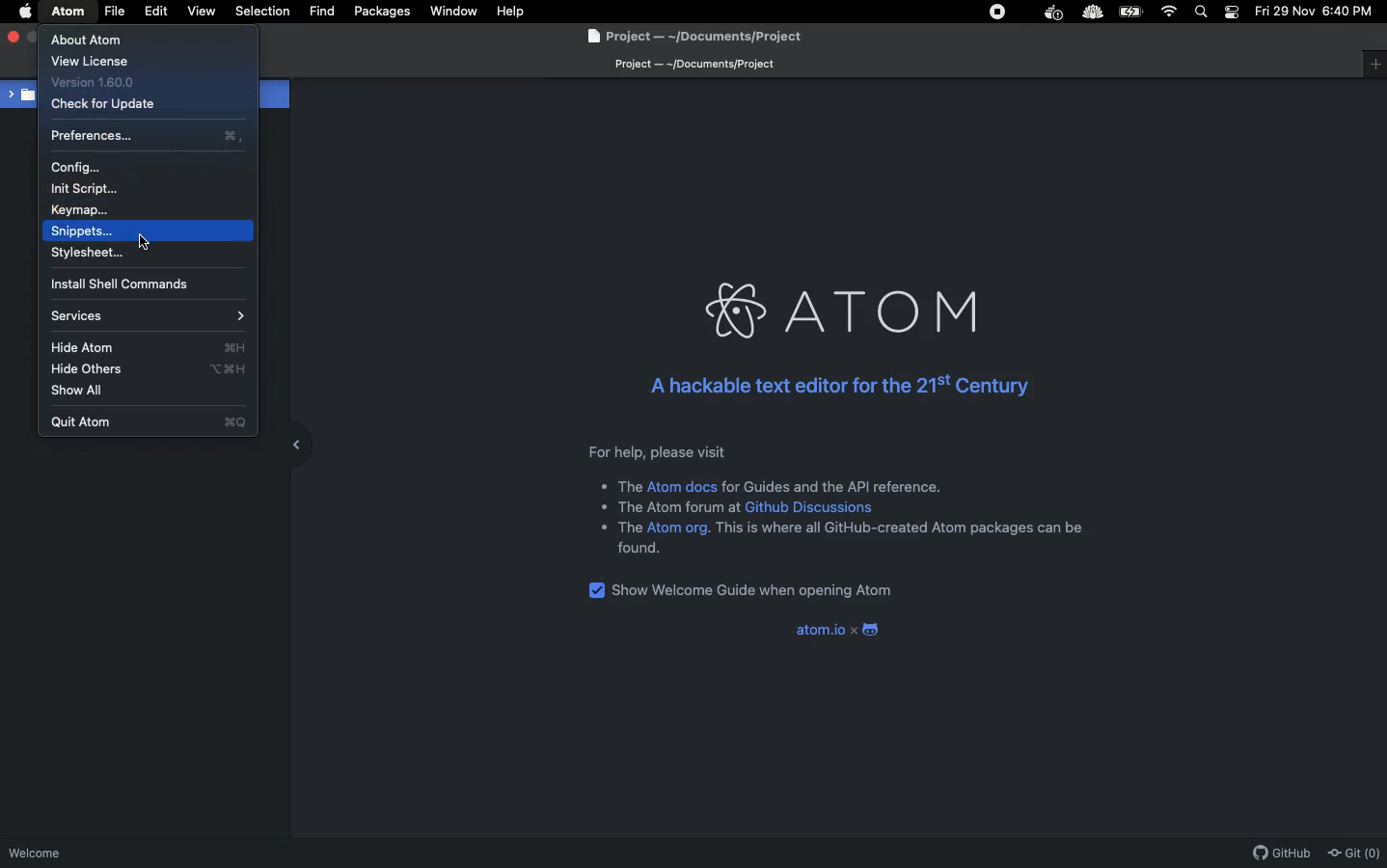 Image resolution: width=1387 pixels, height=868 pixels. What do you see at coordinates (693, 66) in the screenshot?
I see `file path` at bounding box center [693, 66].